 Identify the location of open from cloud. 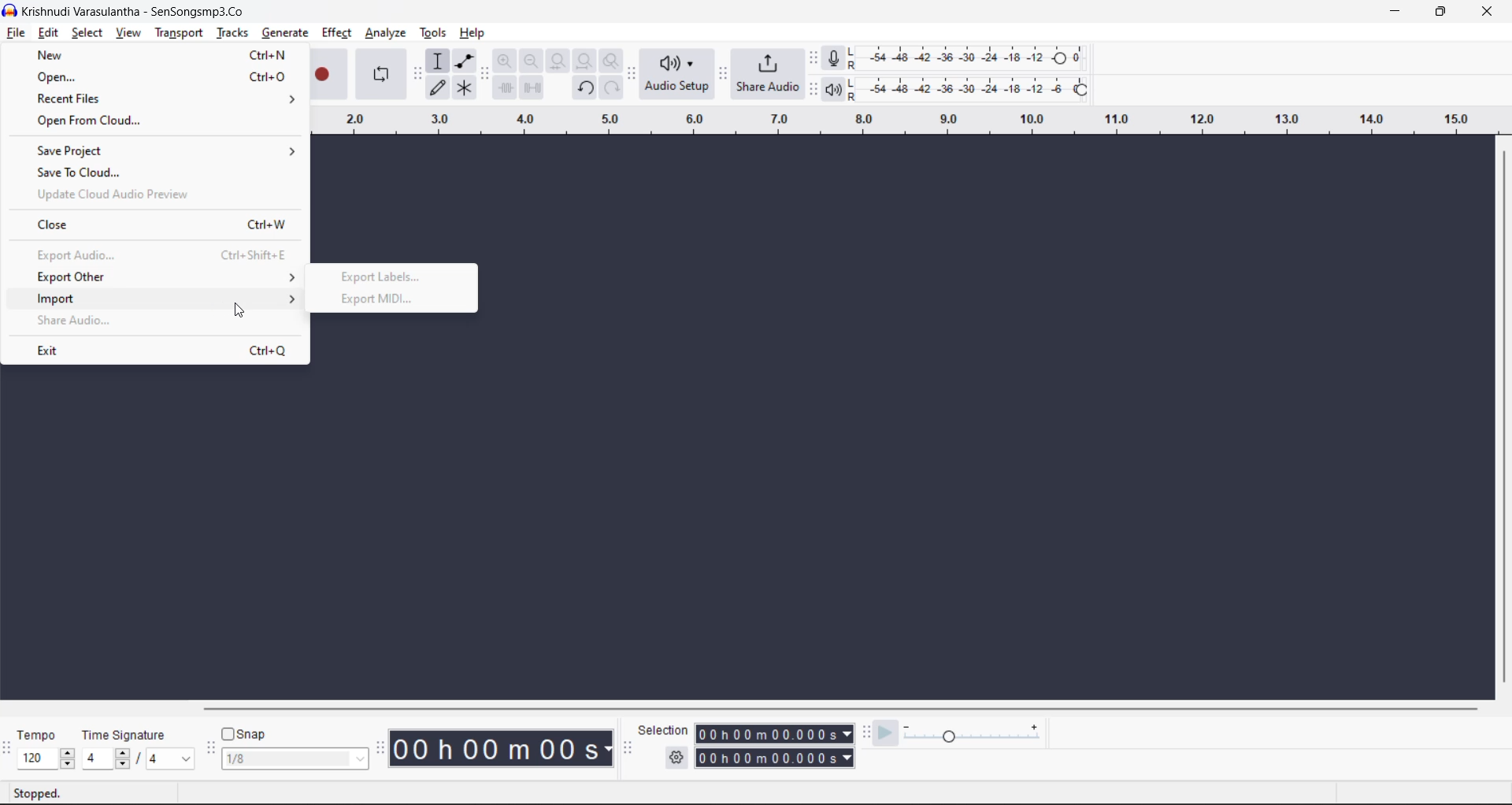
(150, 124).